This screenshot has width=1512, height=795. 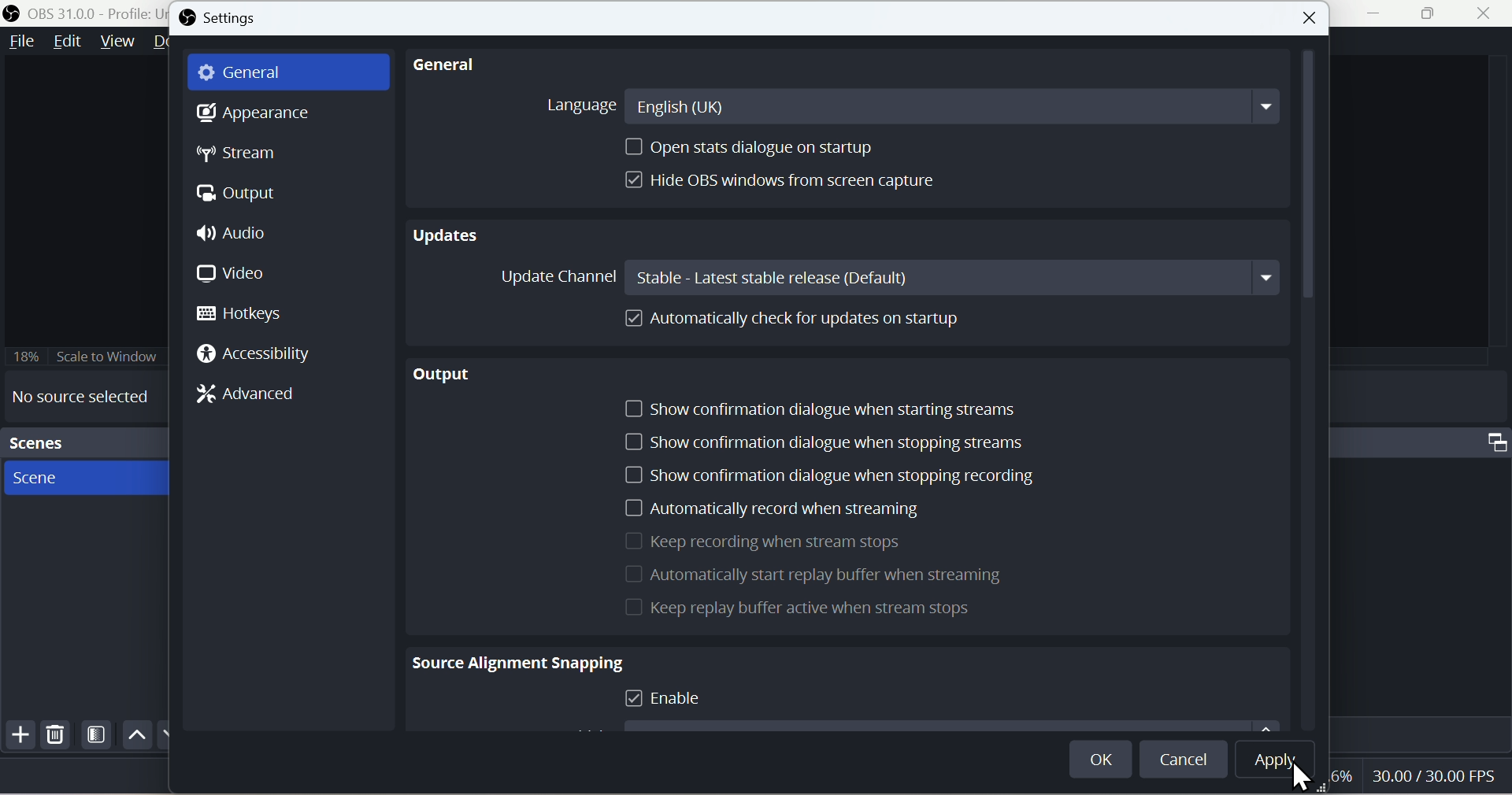 What do you see at coordinates (18, 44) in the screenshot?
I see `File` at bounding box center [18, 44].